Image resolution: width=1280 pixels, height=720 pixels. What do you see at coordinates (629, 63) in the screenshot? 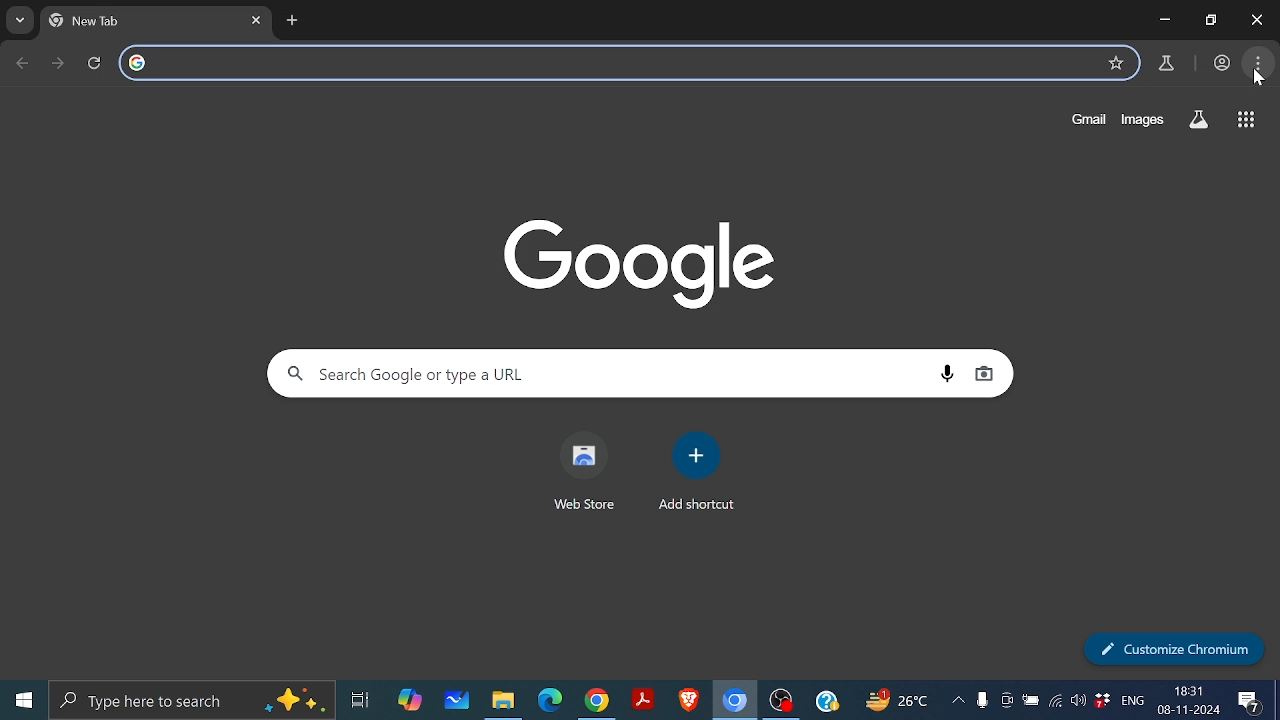
I see `search or type url` at bounding box center [629, 63].